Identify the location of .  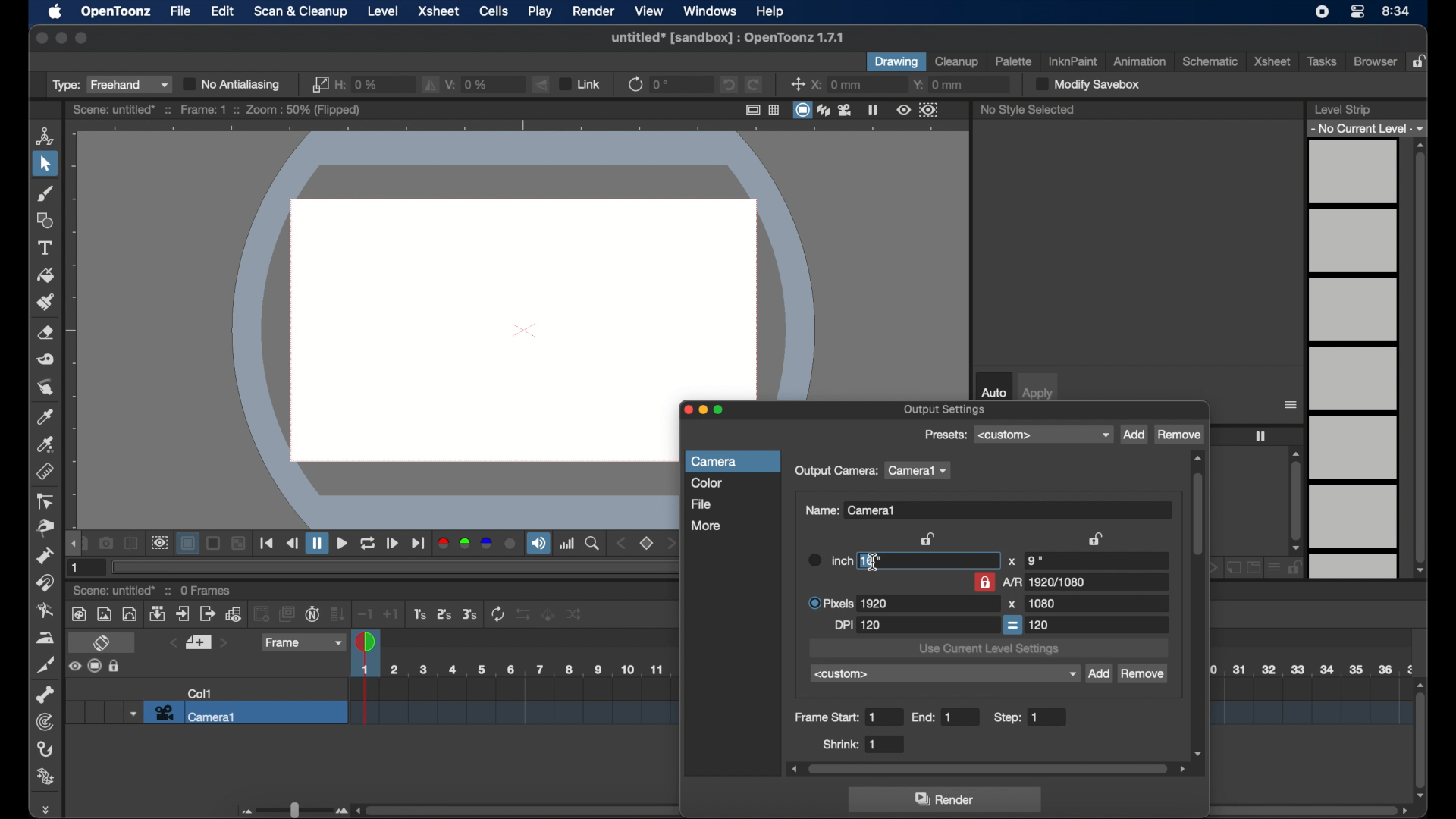
(368, 543).